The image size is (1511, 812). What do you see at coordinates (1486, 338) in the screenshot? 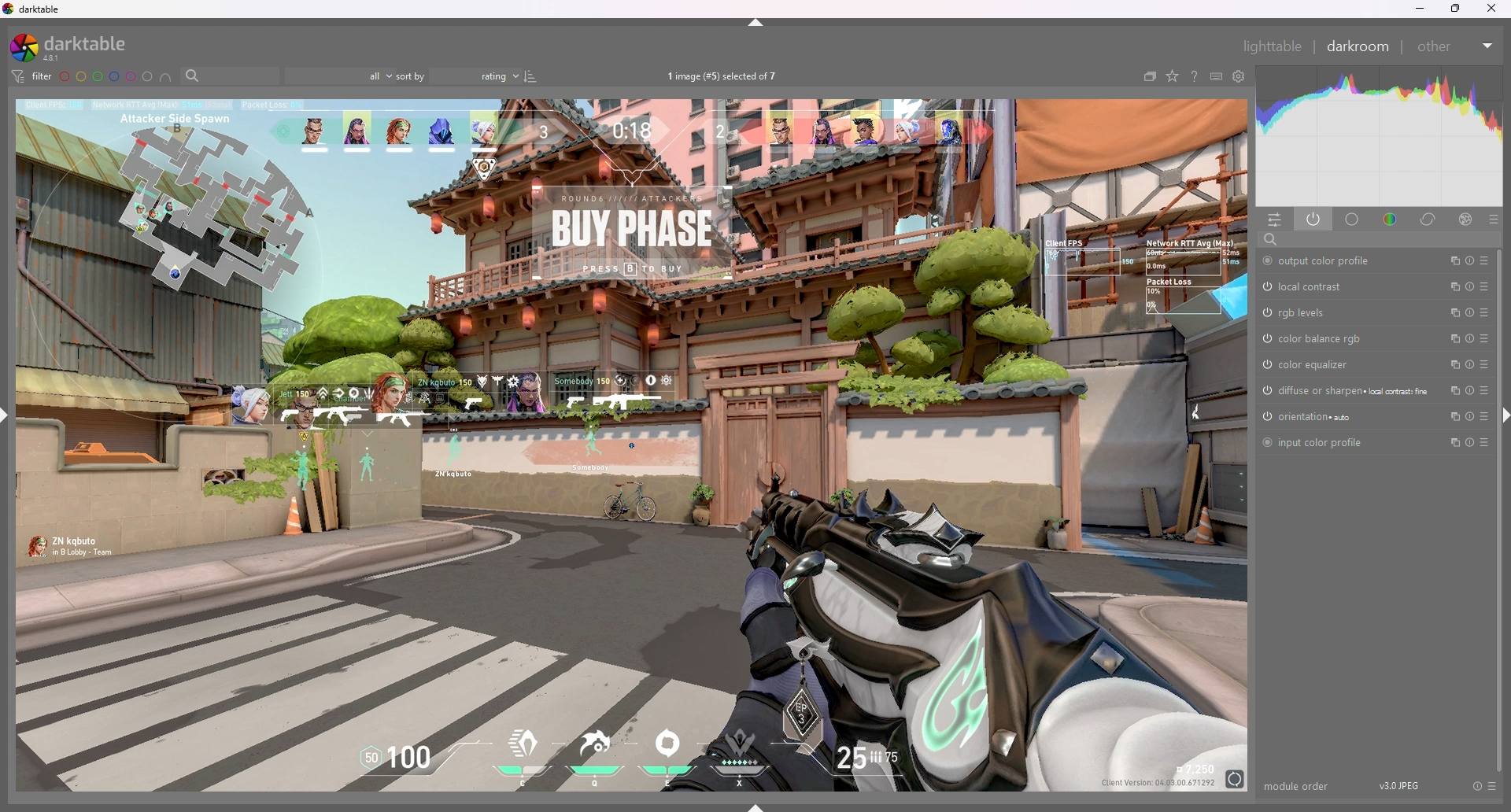
I see `presets` at bounding box center [1486, 338].